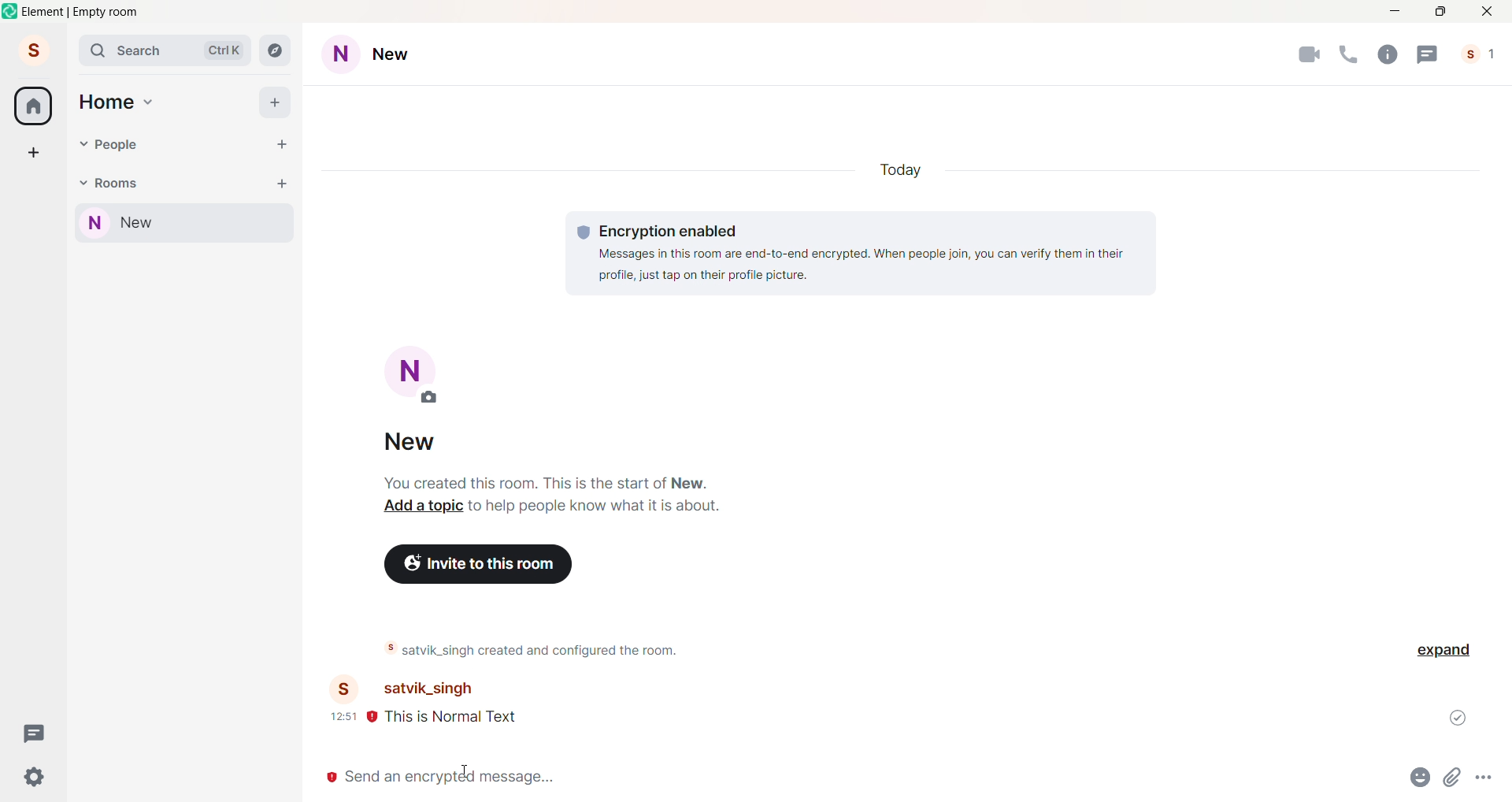  I want to click on Emojis, so click(1418, 779).